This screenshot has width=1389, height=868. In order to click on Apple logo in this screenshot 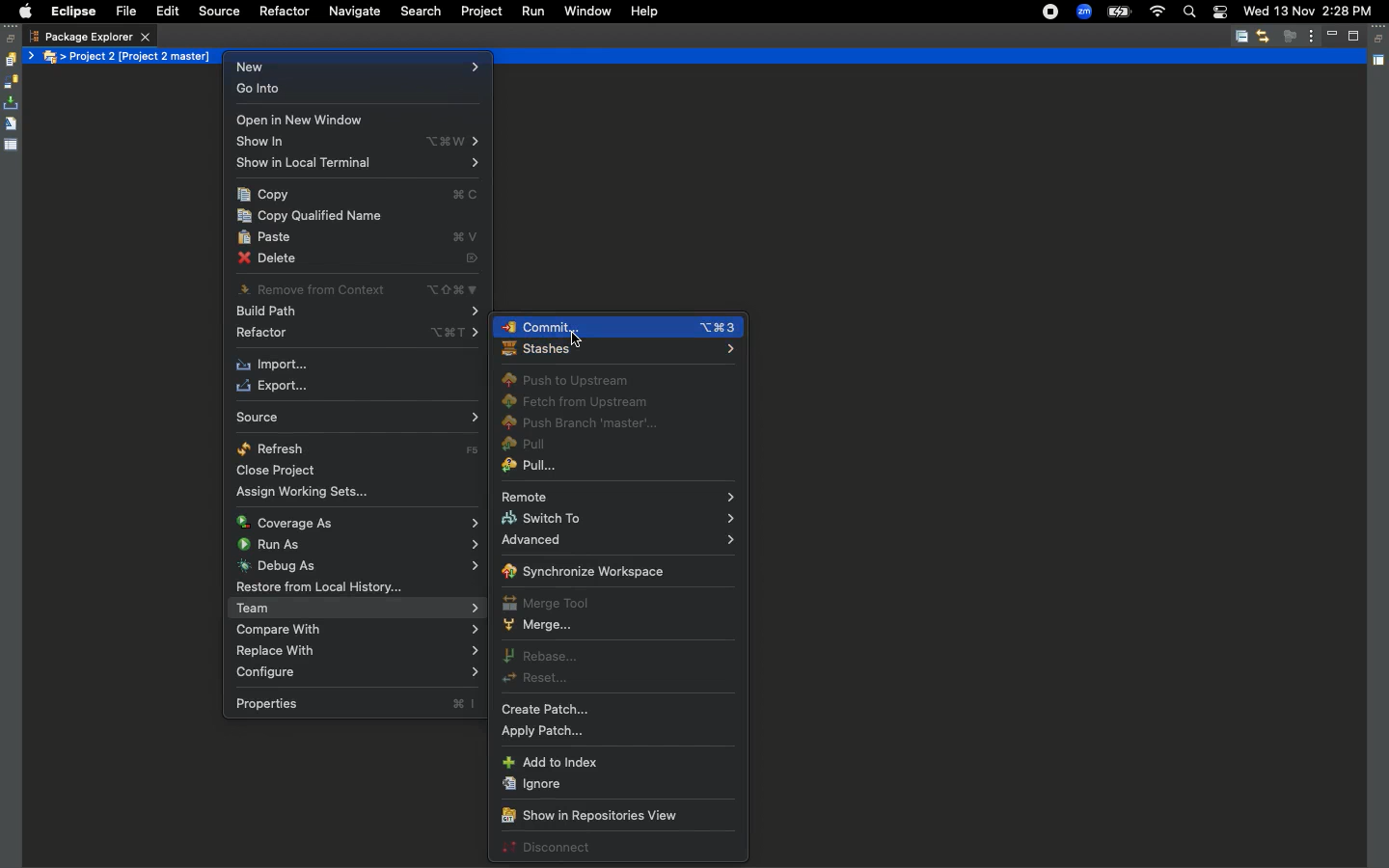, I will do `click(22, 12)`.